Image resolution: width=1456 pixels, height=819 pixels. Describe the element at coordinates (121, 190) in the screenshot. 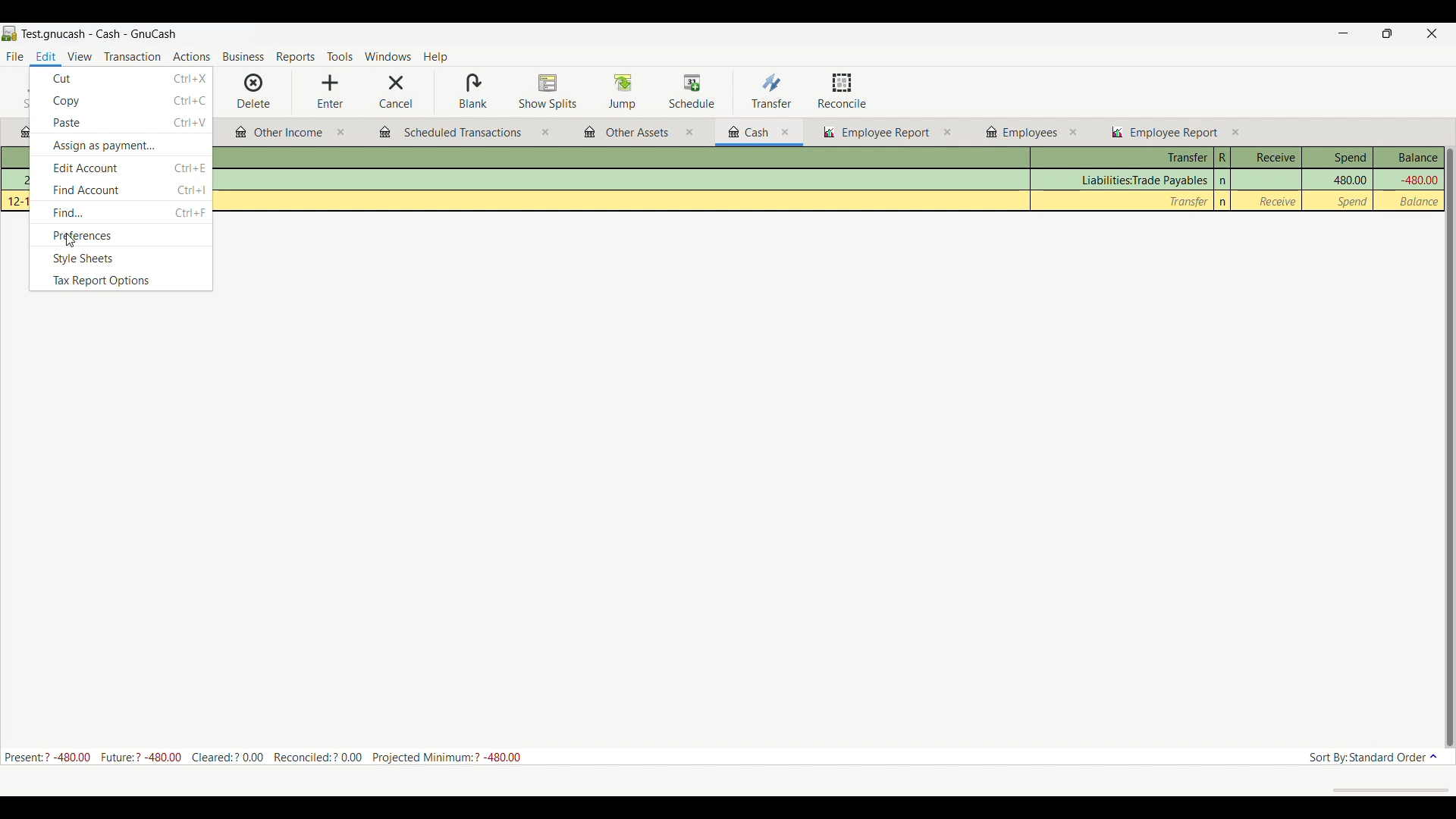

I see `Find account` at that location.